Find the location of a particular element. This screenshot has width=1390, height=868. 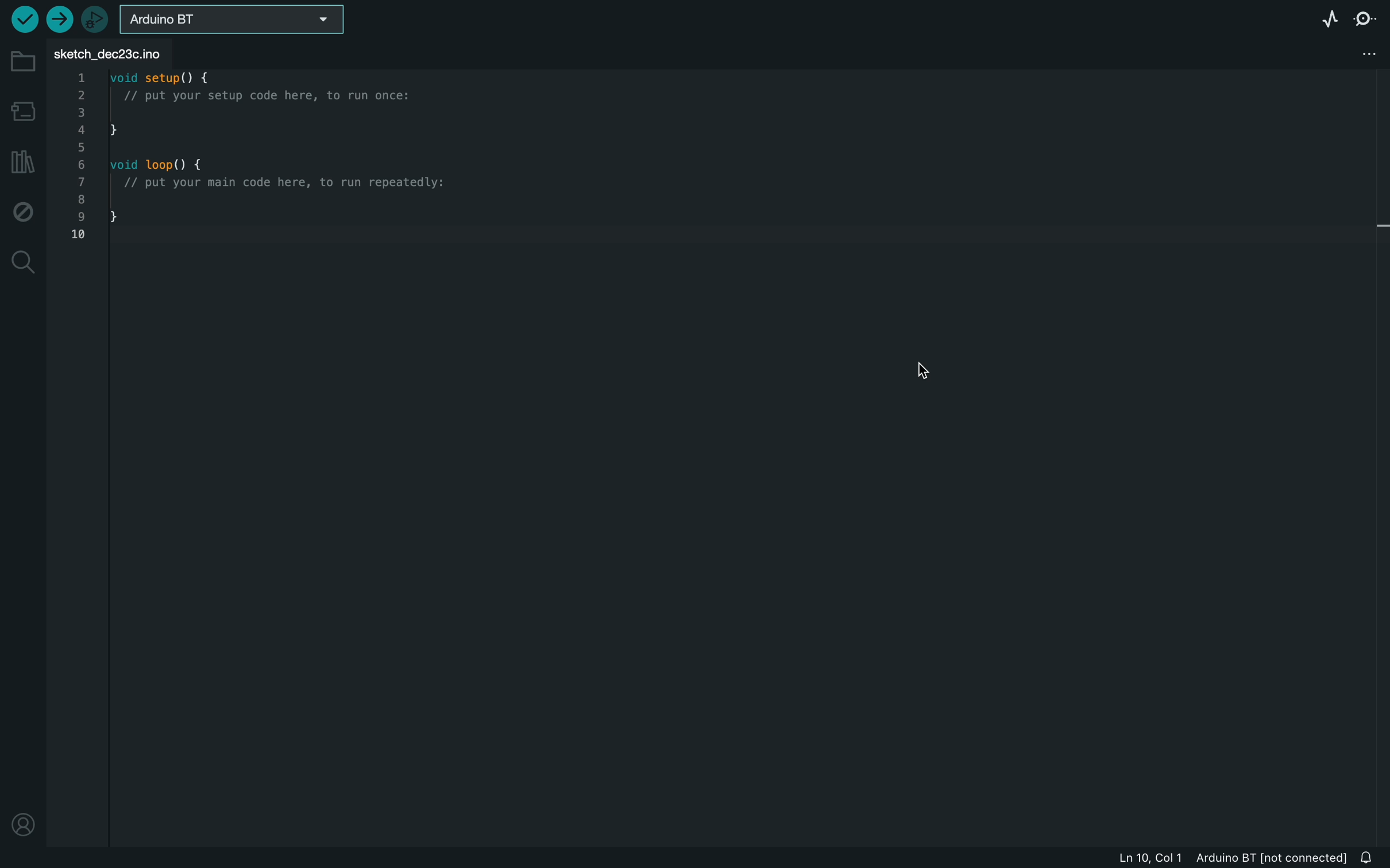

search is located at coordinates (21, 265).